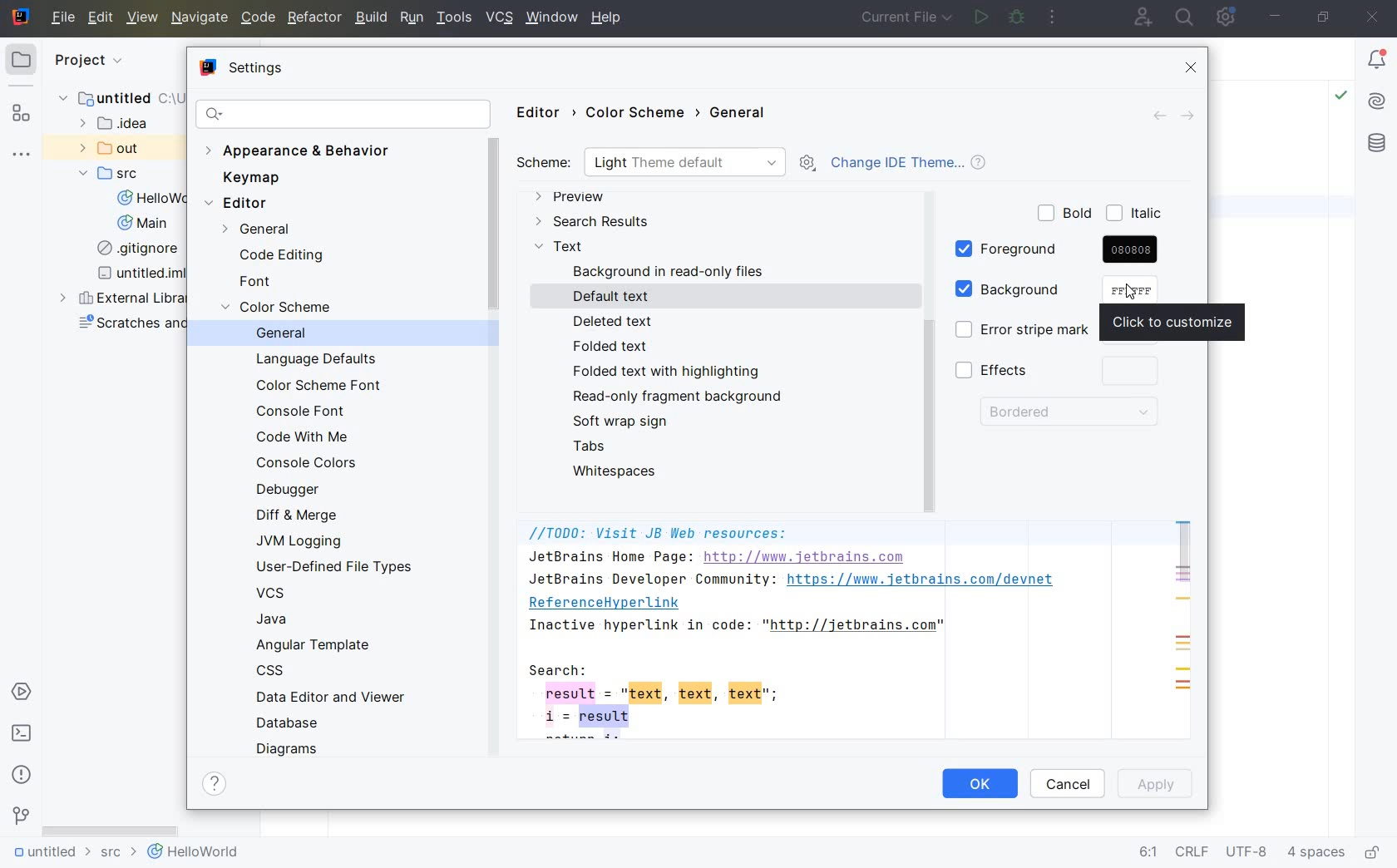 This screenshot has width=1397, height=868. Describe the element at coordinates (643, 114) in the screenshot. I see `COLOR SCHEME` at that location.